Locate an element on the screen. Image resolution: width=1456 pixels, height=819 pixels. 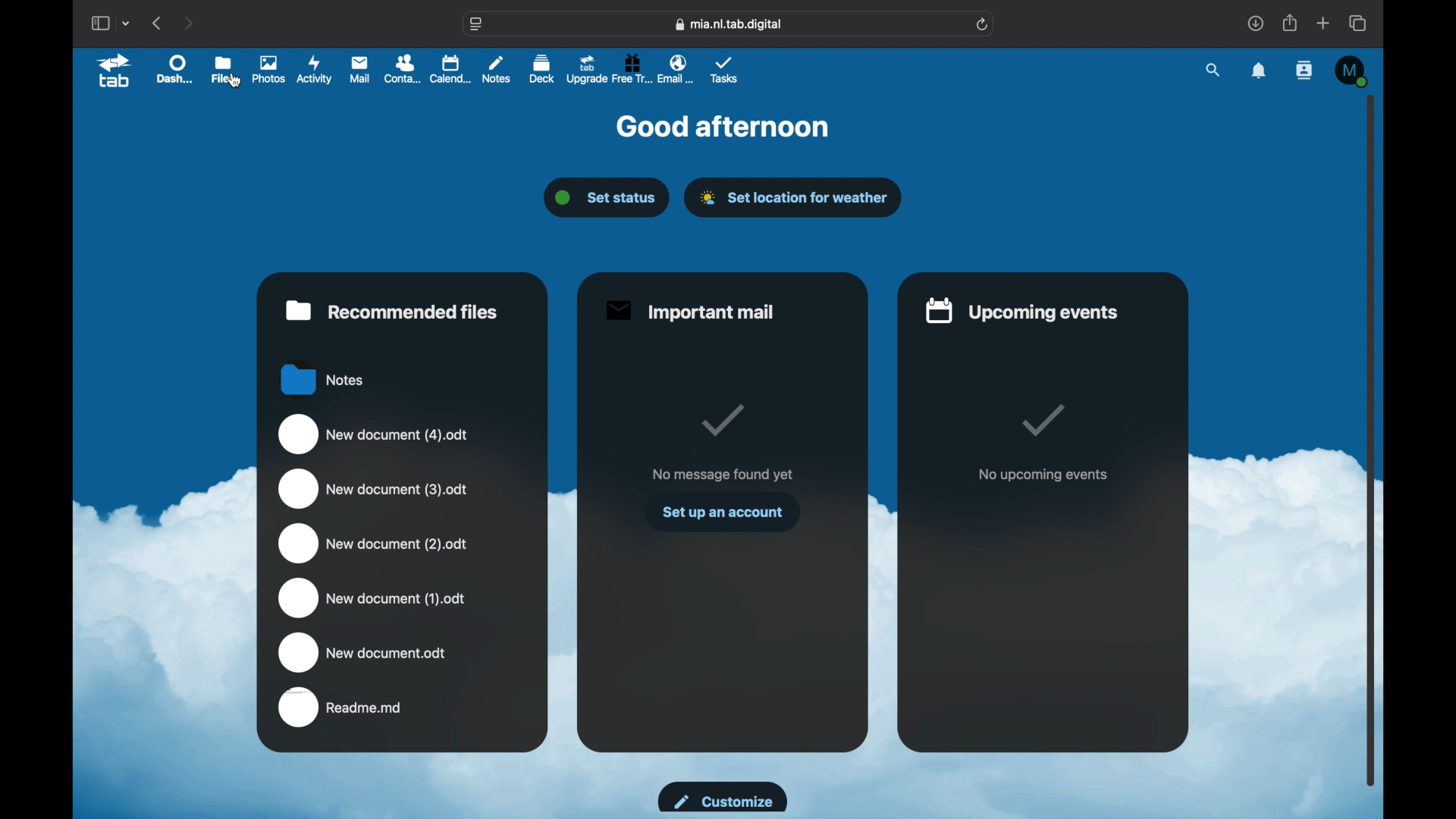
notifications is located at coordinates (1260, 71).